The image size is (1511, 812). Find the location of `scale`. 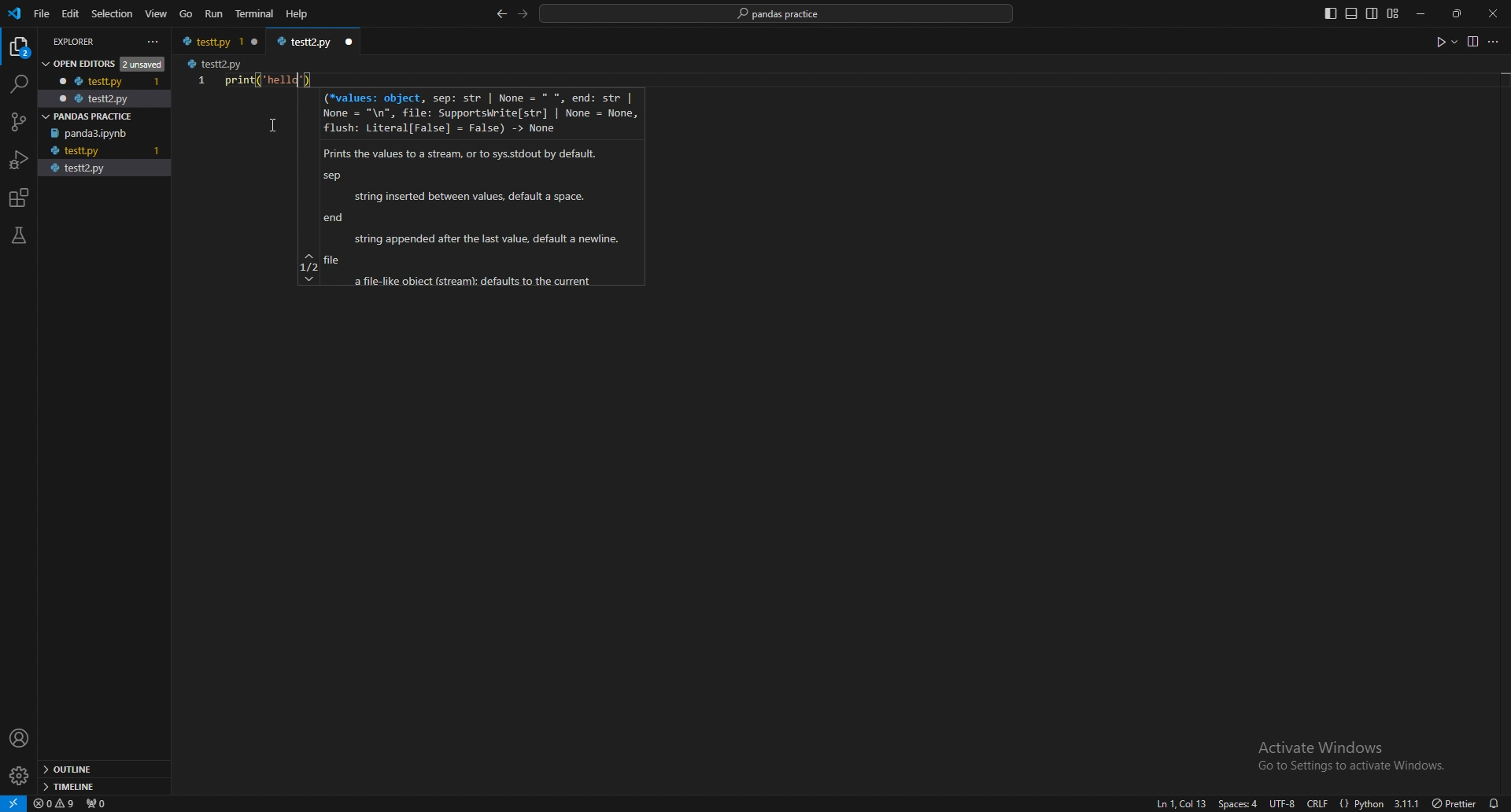

scale is located at coordinates (201, 94).